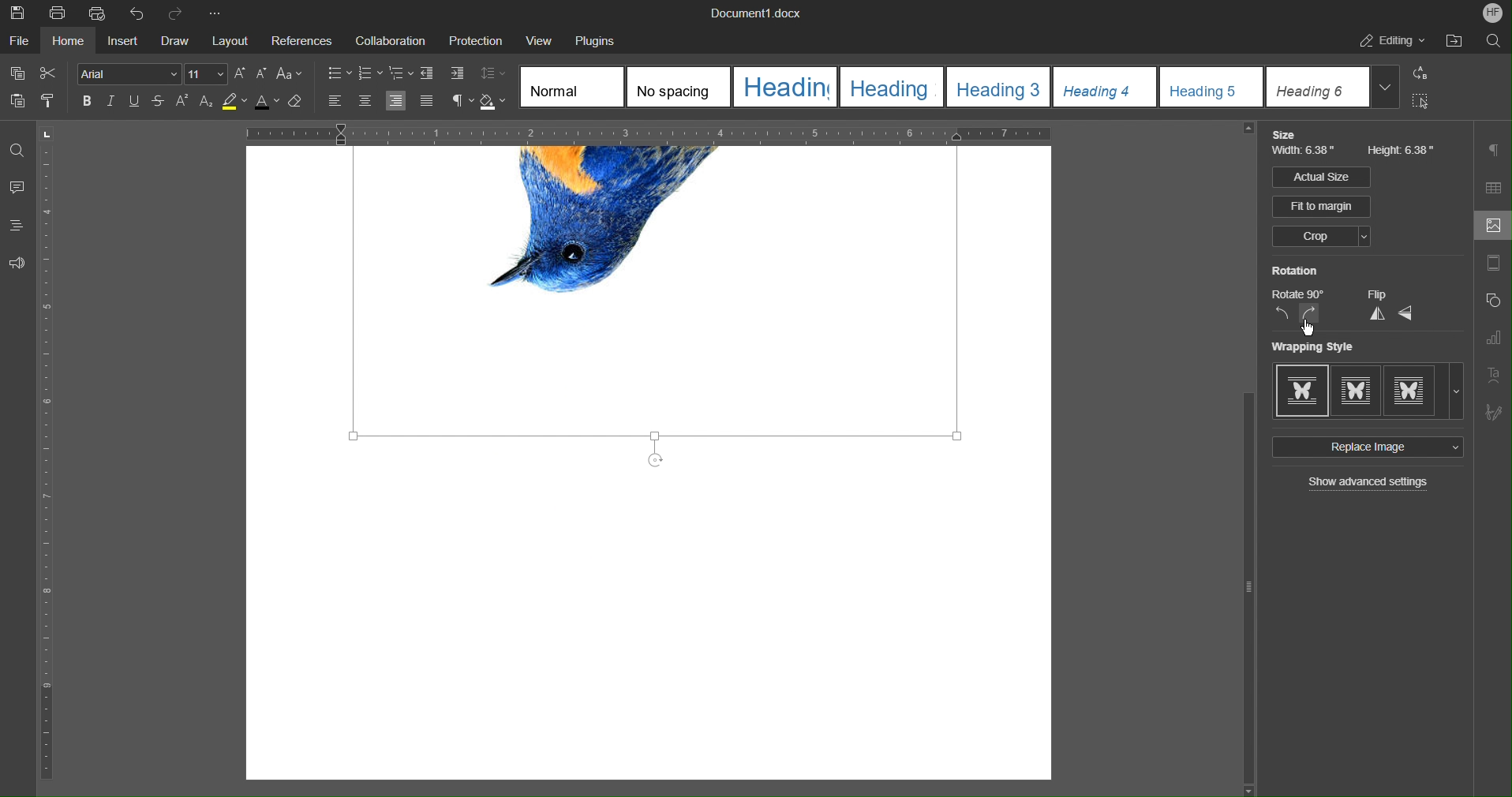 The image size is (1512, 797). I want to click on Cut, so click(50, 73).